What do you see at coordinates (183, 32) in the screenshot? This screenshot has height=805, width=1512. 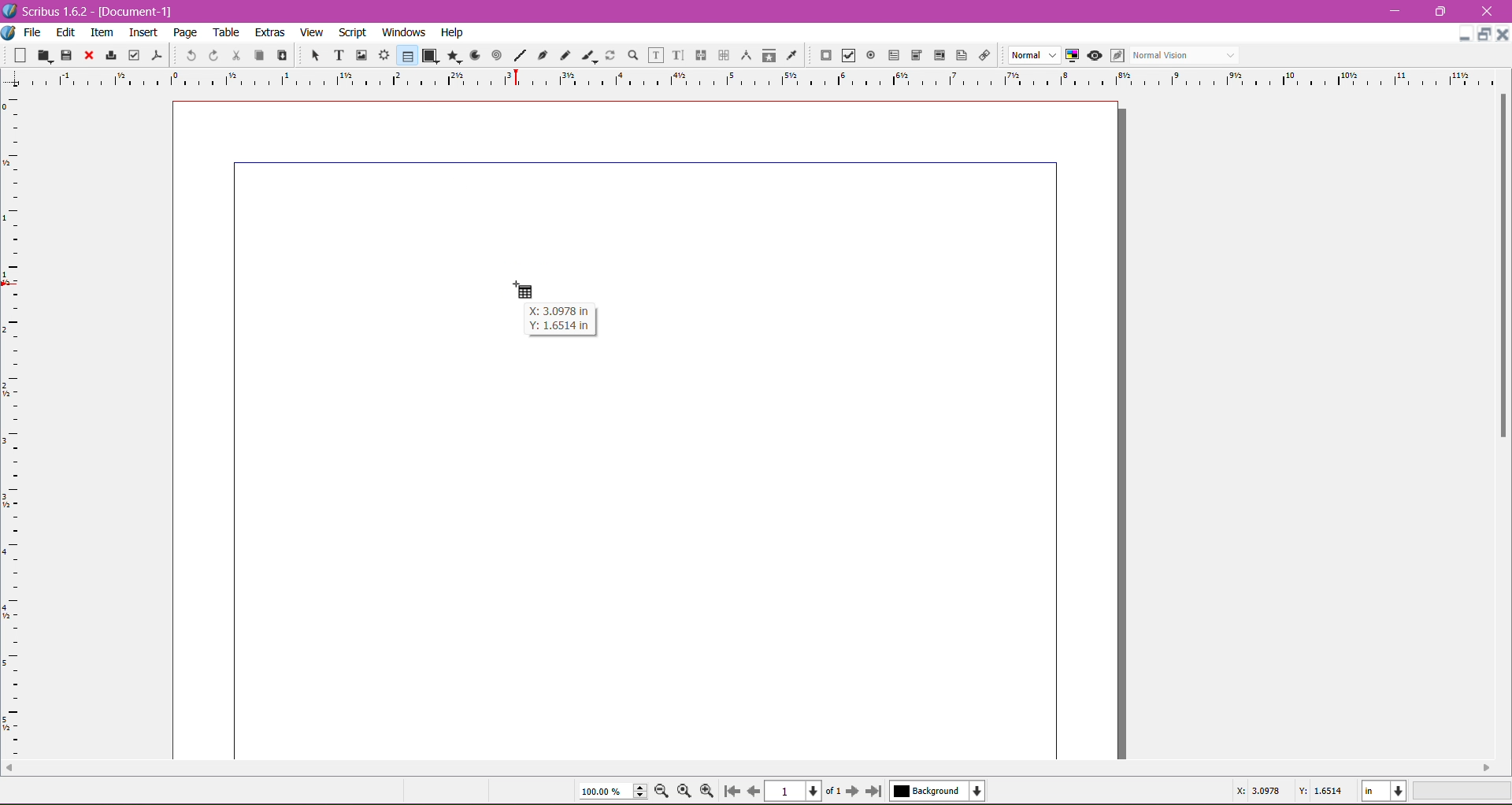 I see `Page` at bounding box center [183, 32].